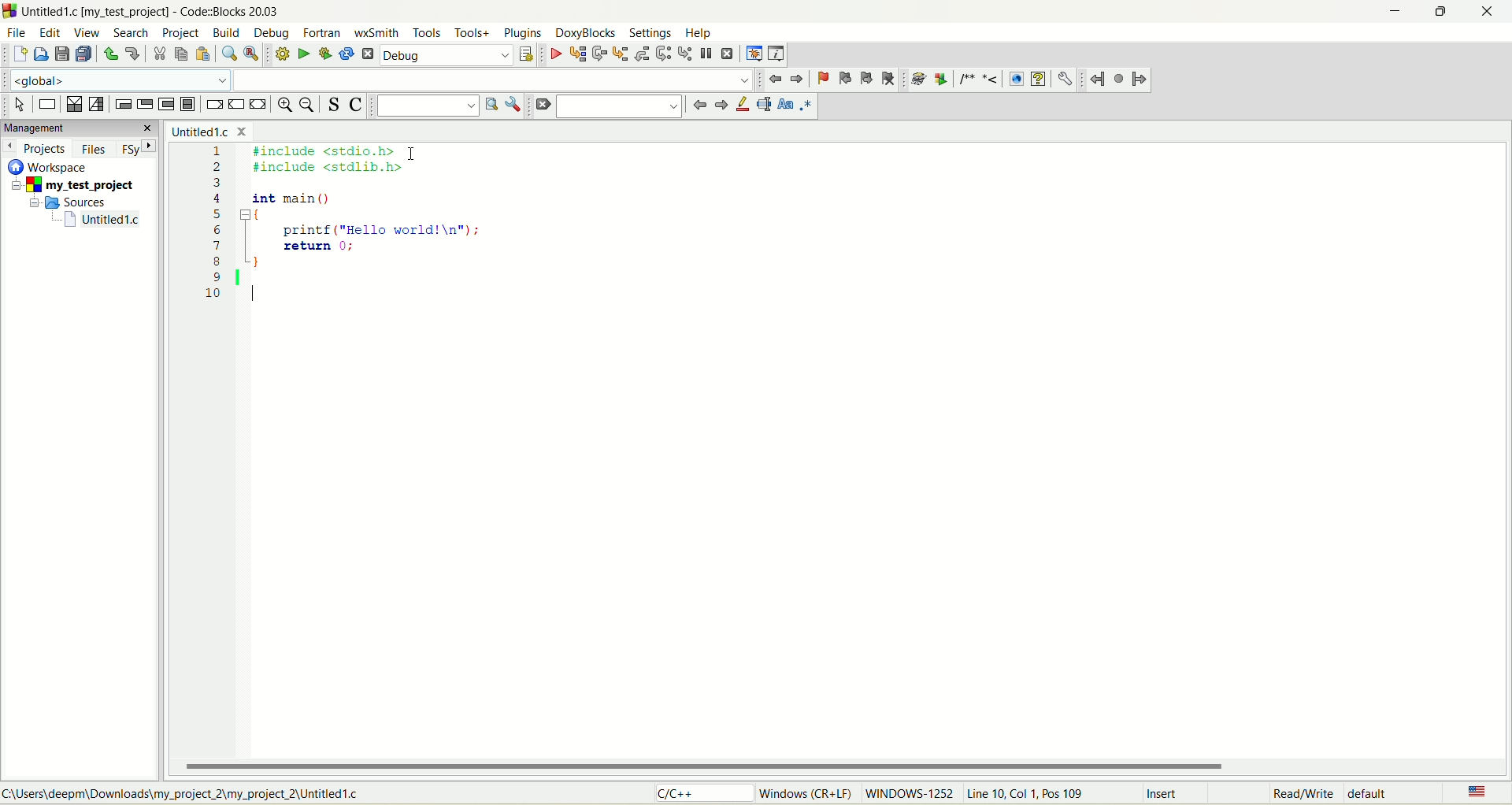 The width and height of the screenshot is (1512, 805). What do you see at coordinates (362, 229) in the screenshot?
I see `1 #include <stdio.h>2 #include <stdlib.h>3 4 int main()5 { 6 printf ("Hello world!\n");7  return 0;8 }9 10` at bounding box center [362, 229].